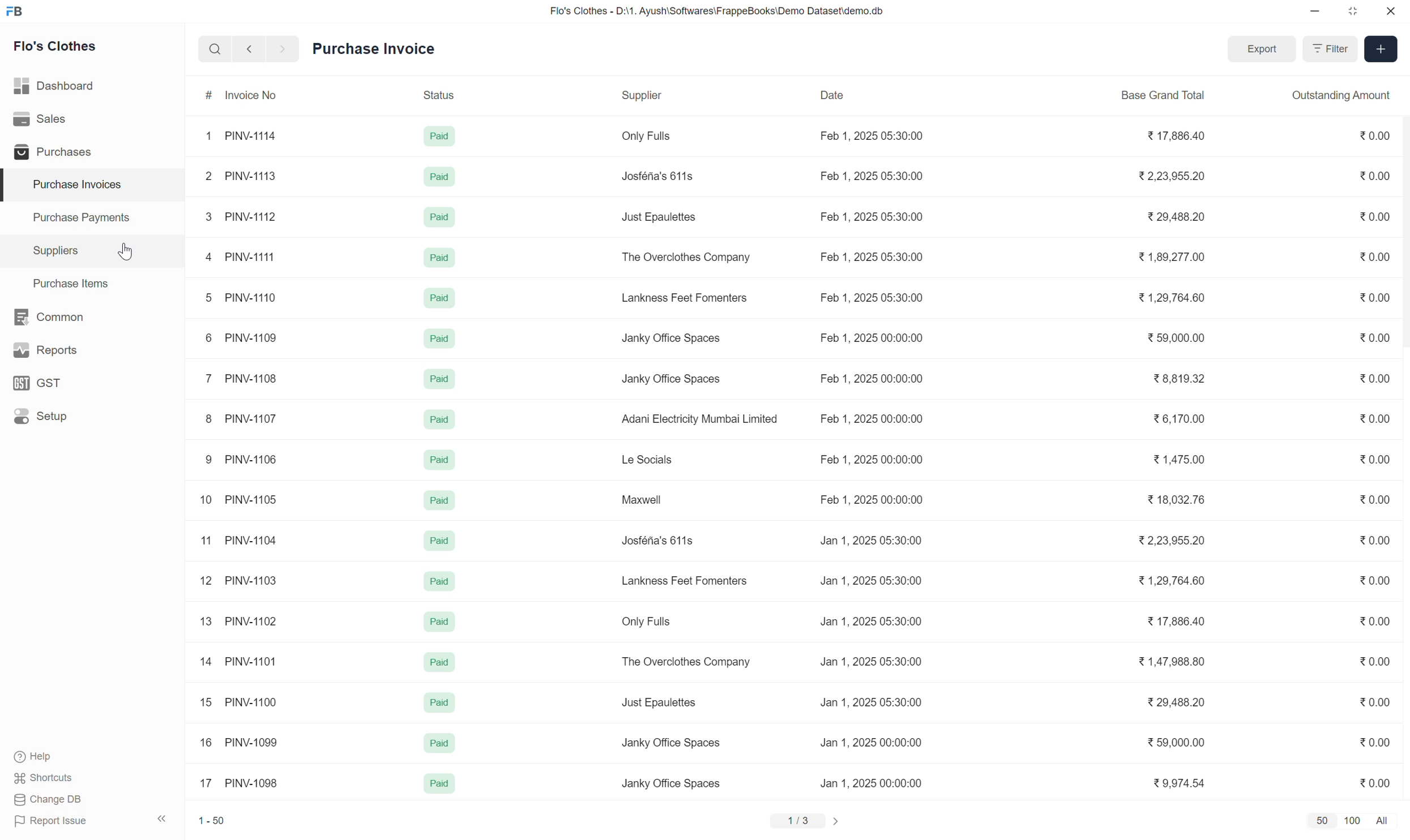 This screenshot has height=840, width=1410. Describe the element at coordinates (871, 662) in the screenshot. I see `Jan 1, 2025 05:30:00` at that location.